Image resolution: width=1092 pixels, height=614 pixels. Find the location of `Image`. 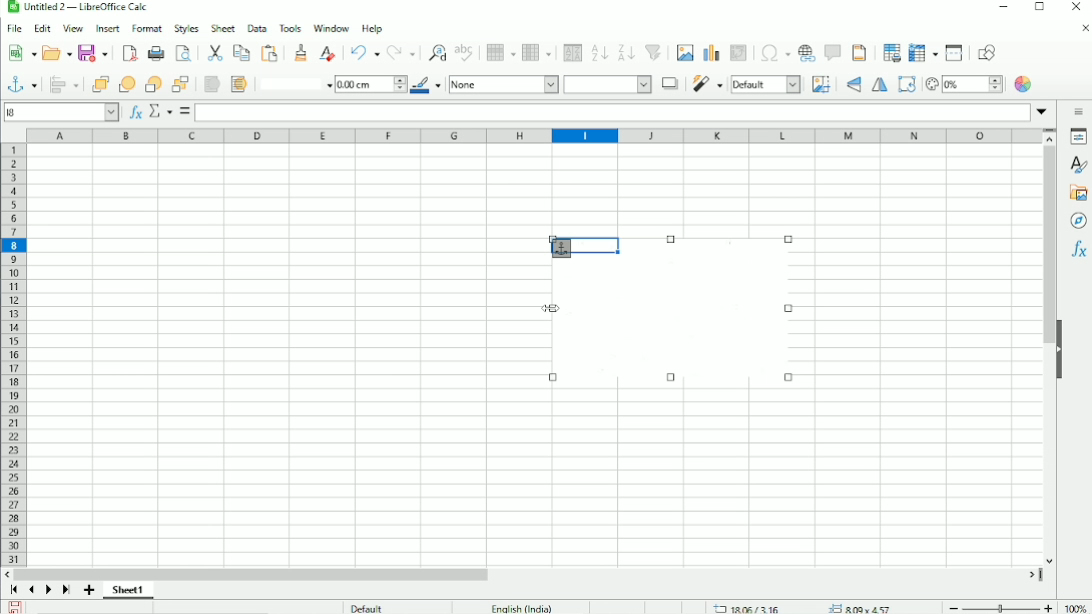

Image is located at coordinates (681, 322).